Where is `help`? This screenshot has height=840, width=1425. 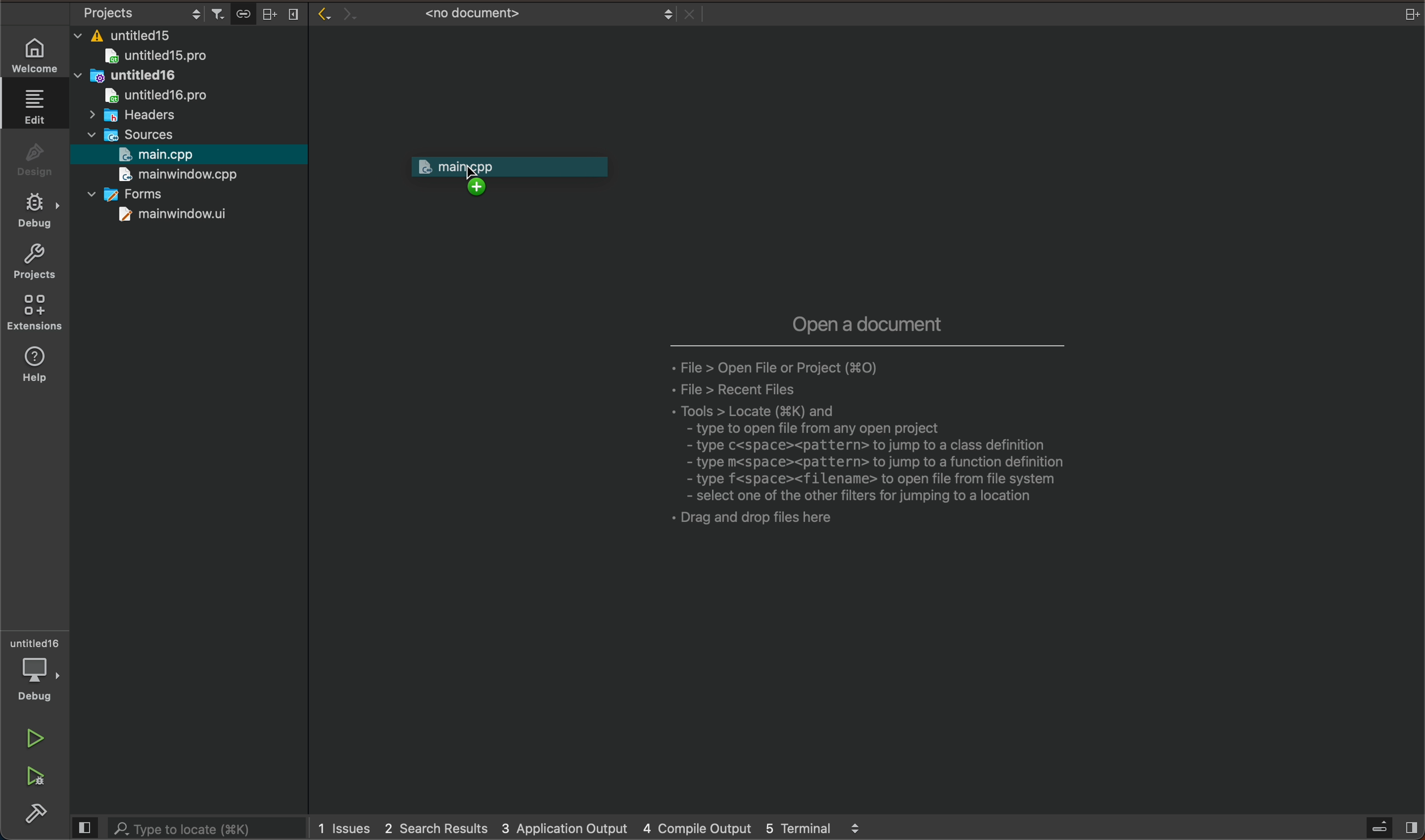
help is located at coordinates (35, 363).